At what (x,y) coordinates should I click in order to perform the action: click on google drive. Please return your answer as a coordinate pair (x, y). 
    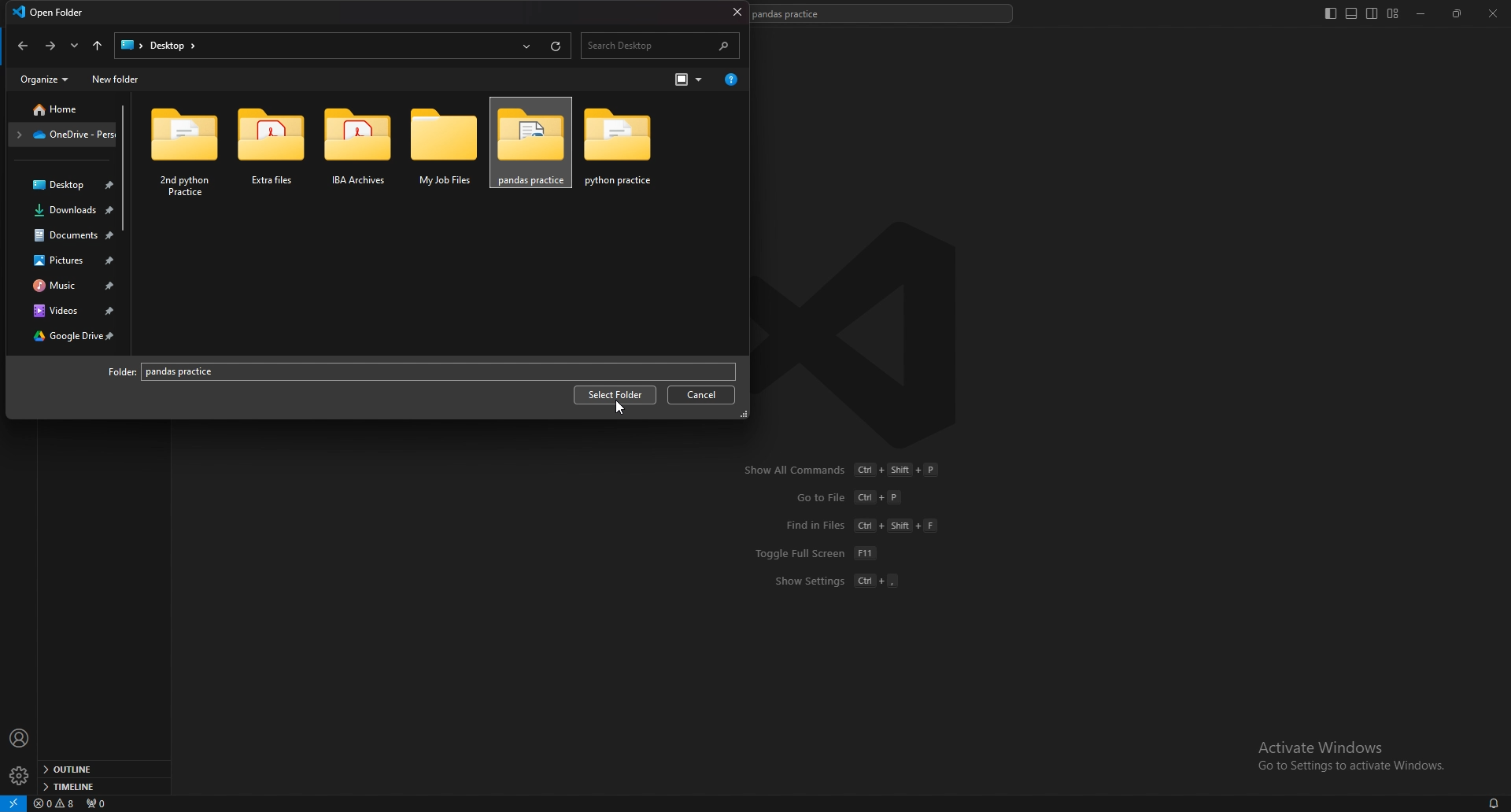
    Looking at the image, I should click on (68, 337).